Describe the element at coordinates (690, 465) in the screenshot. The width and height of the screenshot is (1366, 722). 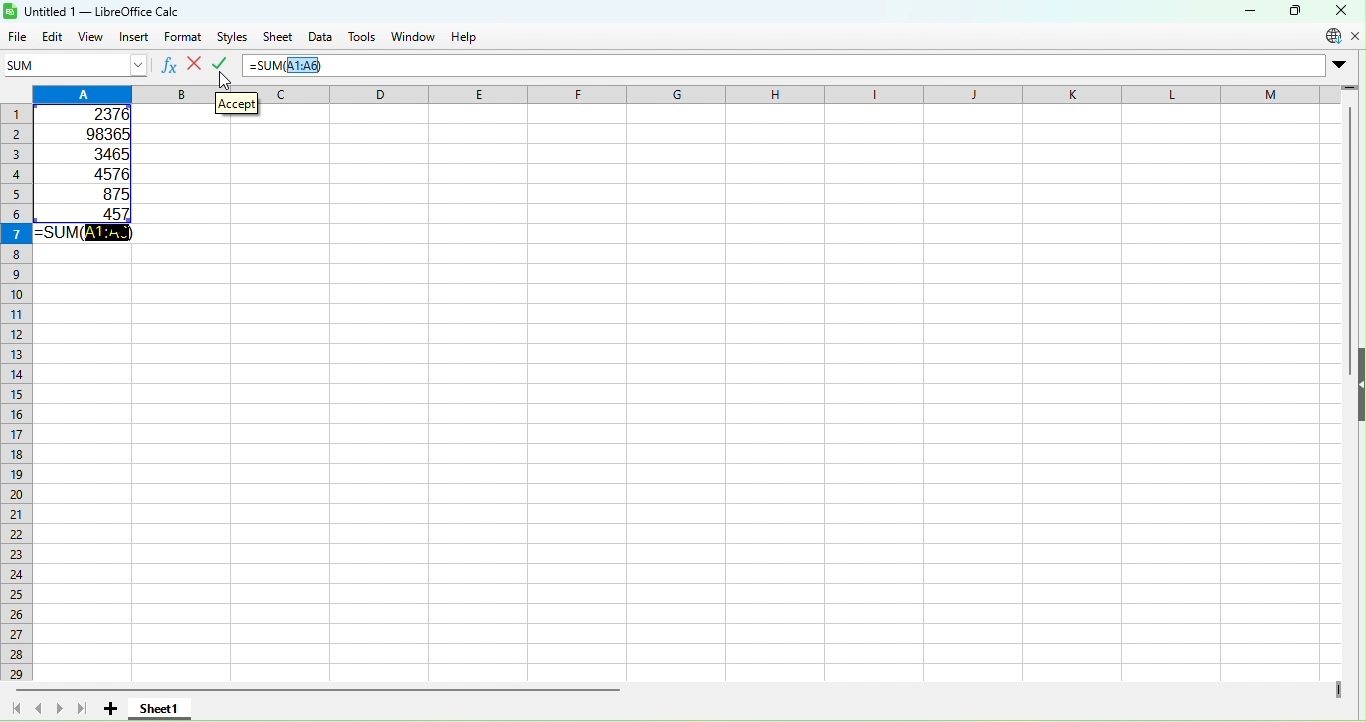
I see `Cells` at that location.